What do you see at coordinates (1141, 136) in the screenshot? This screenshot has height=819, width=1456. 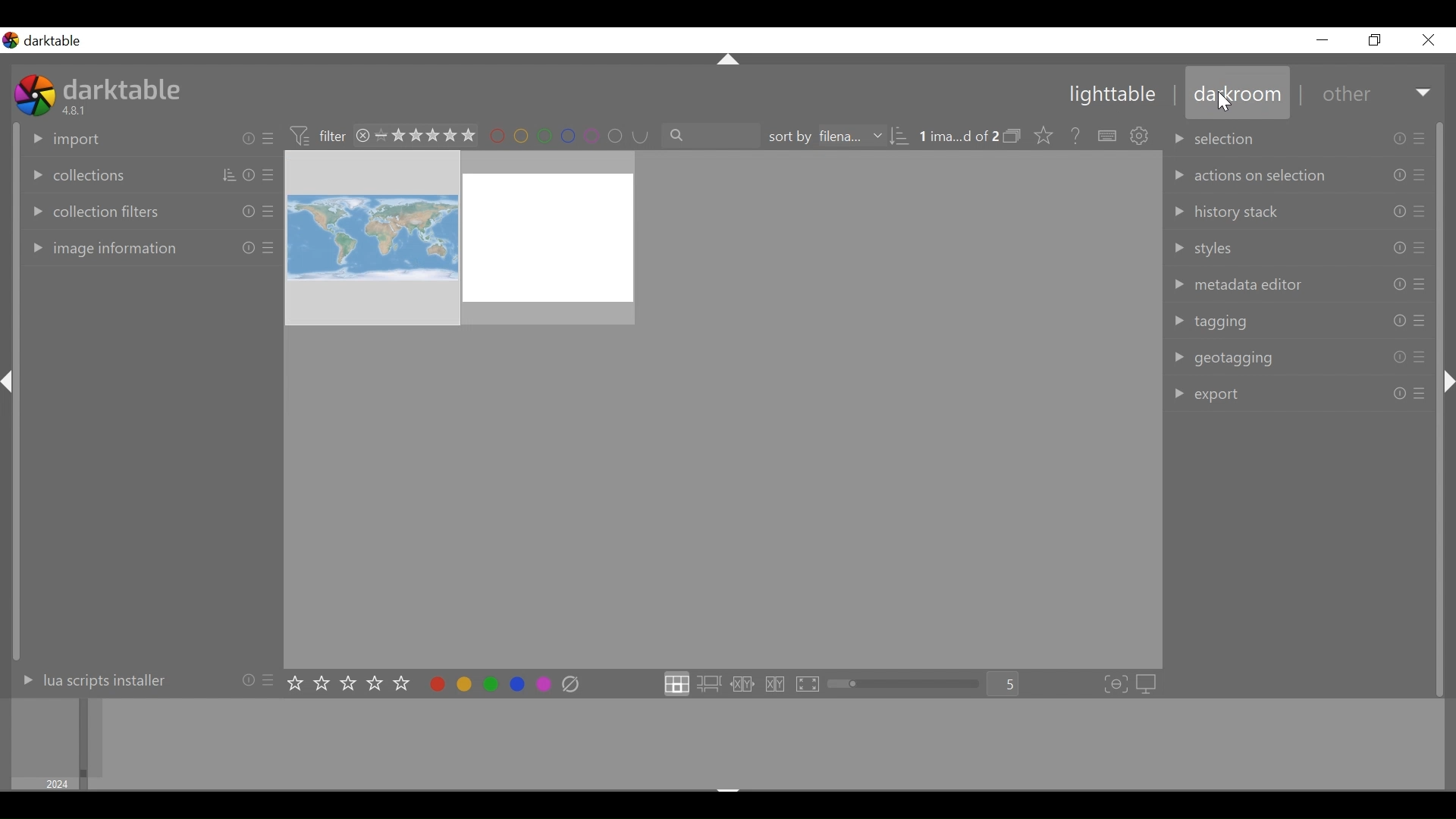 I see `settings` at bounding box center [1141, 136].